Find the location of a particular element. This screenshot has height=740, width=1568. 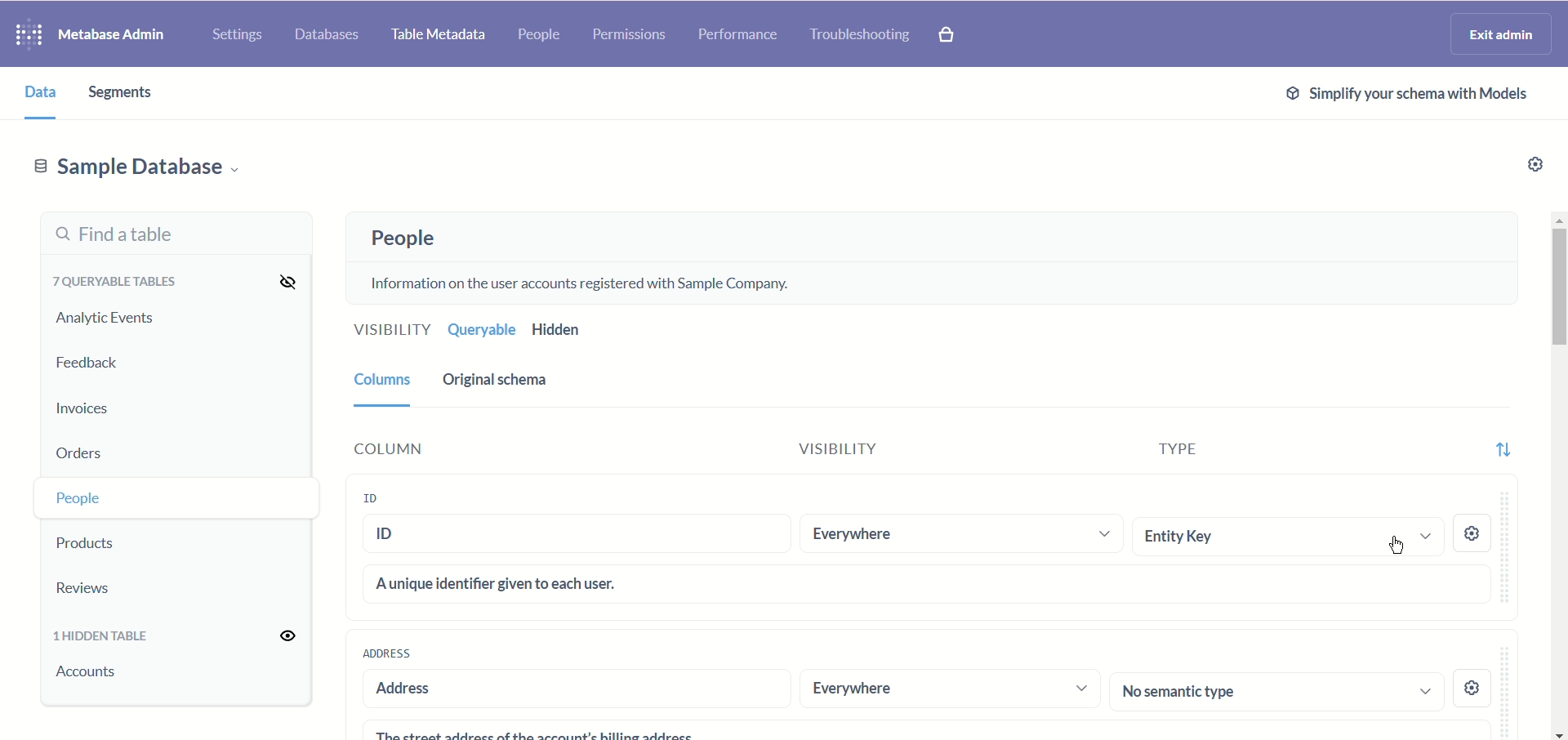

7 queryable tables is located at coordinates (111, 281).